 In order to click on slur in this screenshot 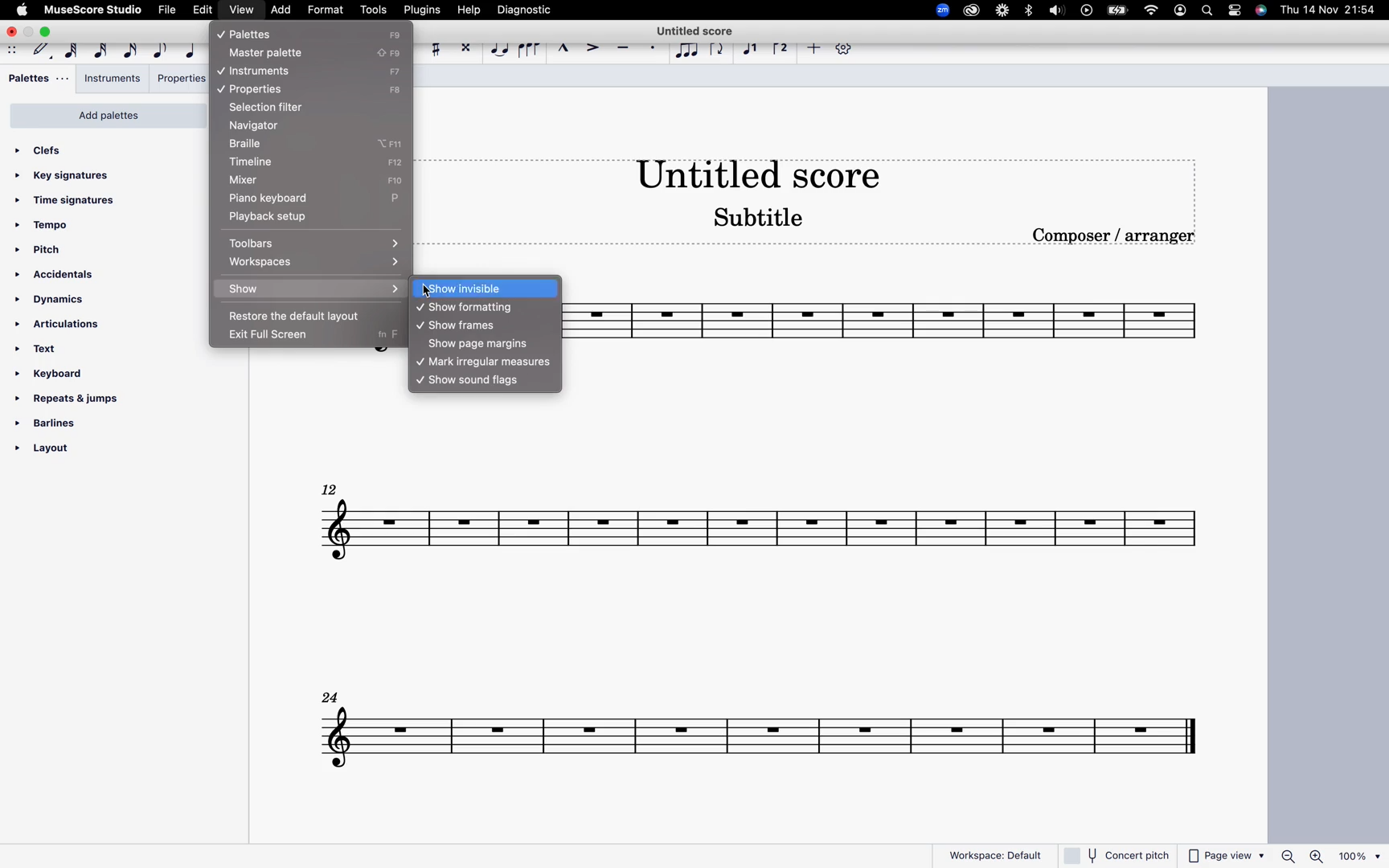, I will do `click(528, 51)`.